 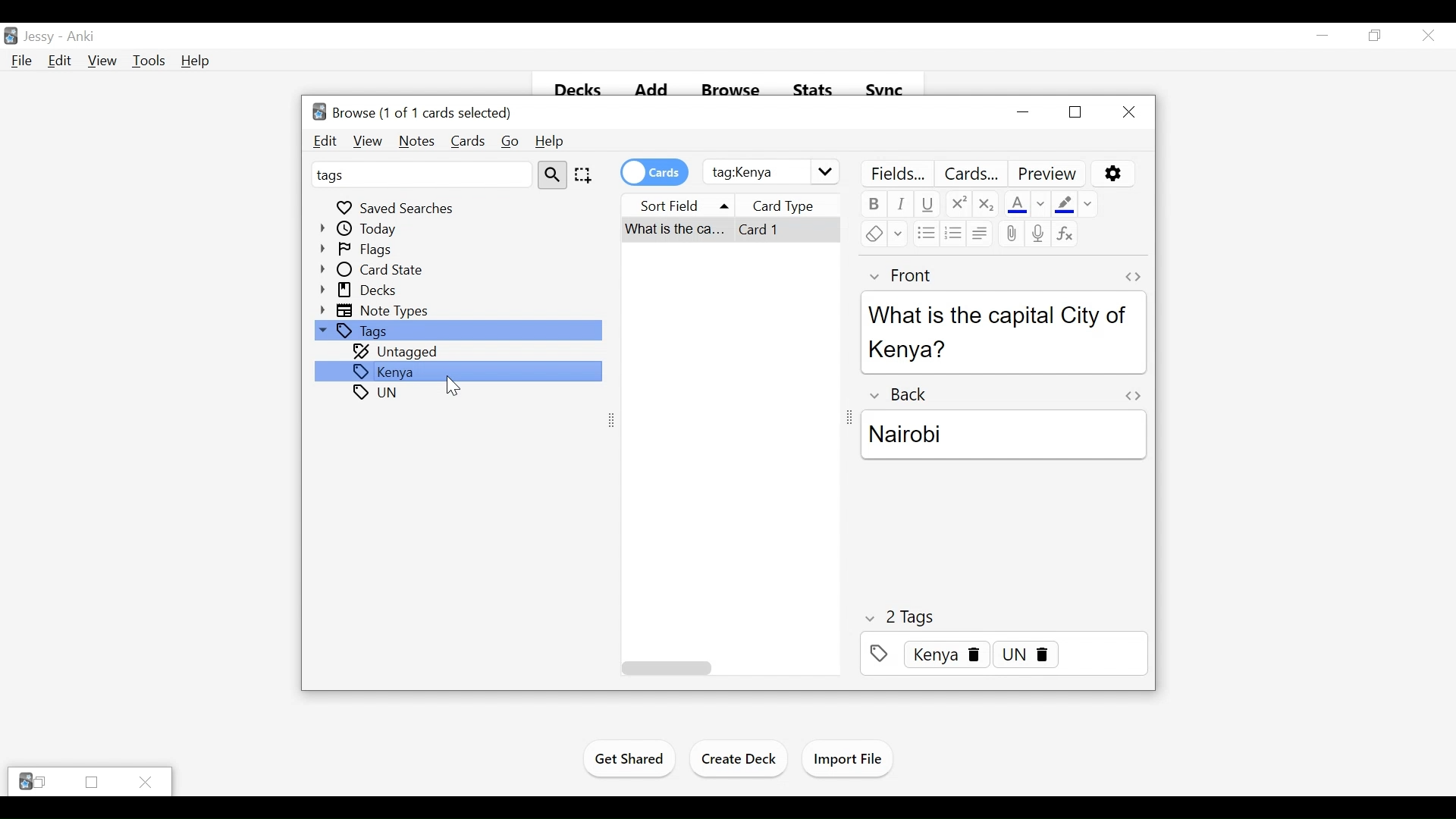 What do you see at coordinates (33, 782) in the screenshot?
I see `Anki Restore tabs` at bounding box center [33, 782].